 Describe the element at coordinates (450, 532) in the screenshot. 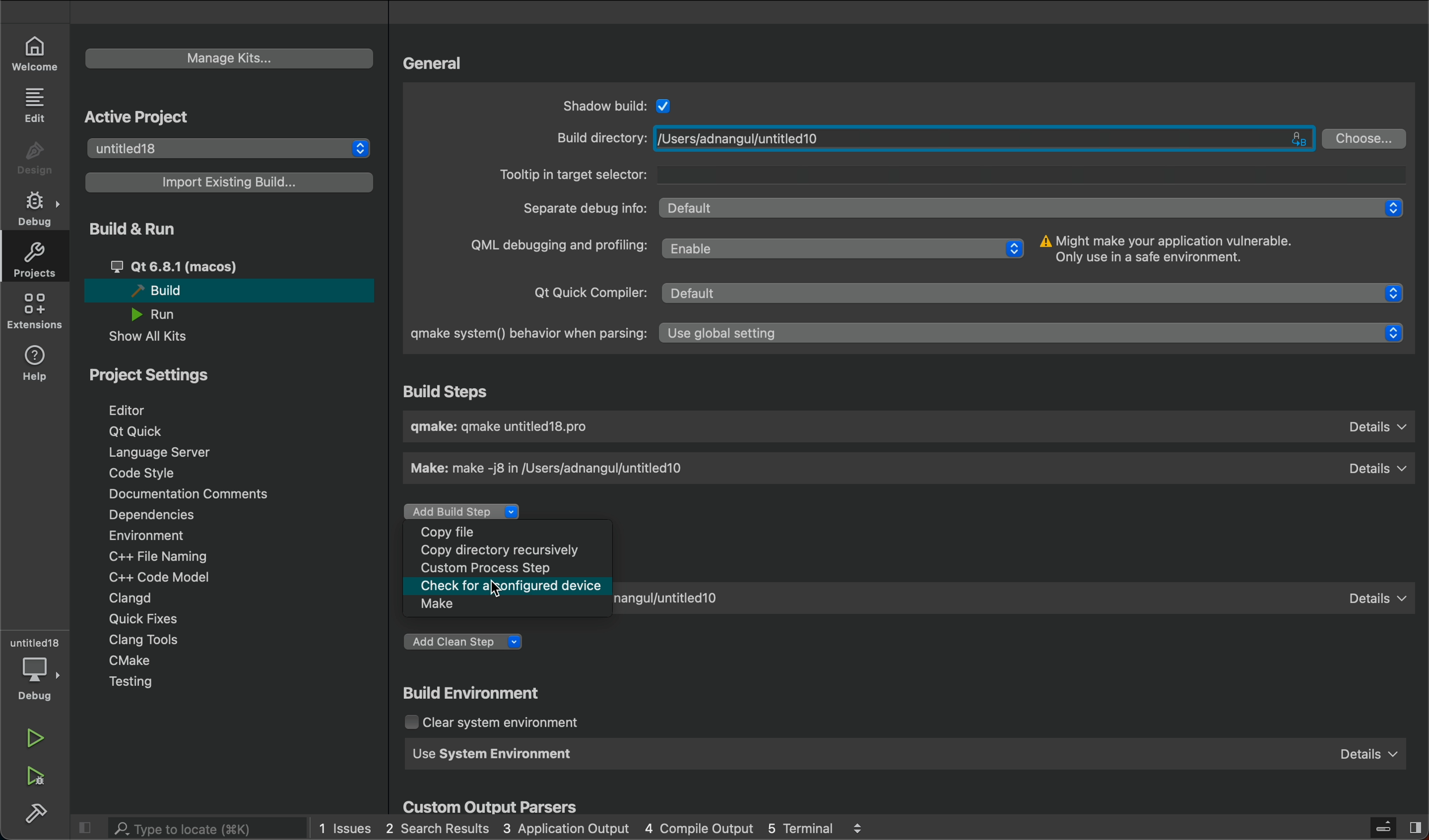

I see `Copy file` at that location.